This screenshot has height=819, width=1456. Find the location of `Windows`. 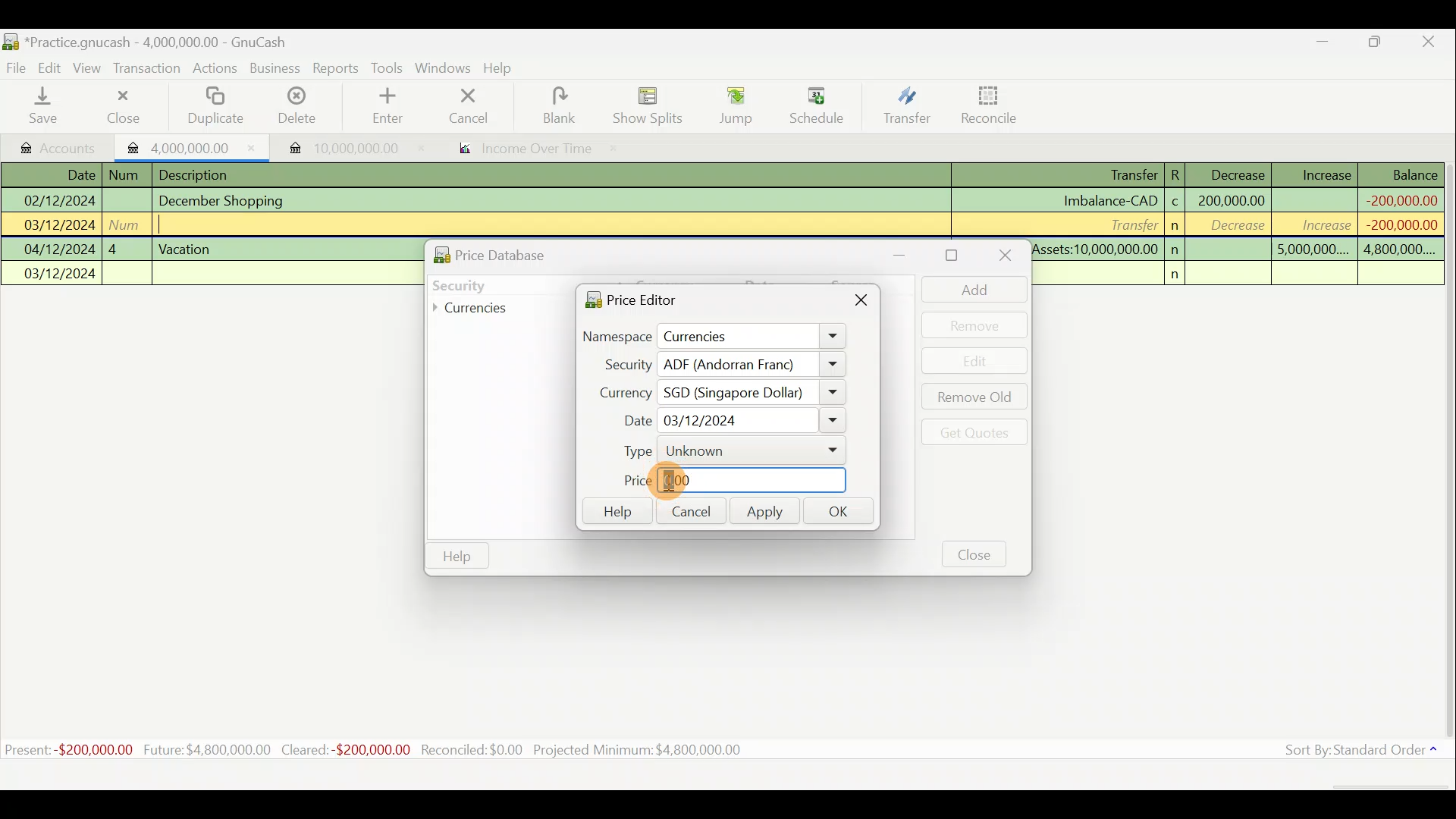

Windows is located at coordinates (443, 68).